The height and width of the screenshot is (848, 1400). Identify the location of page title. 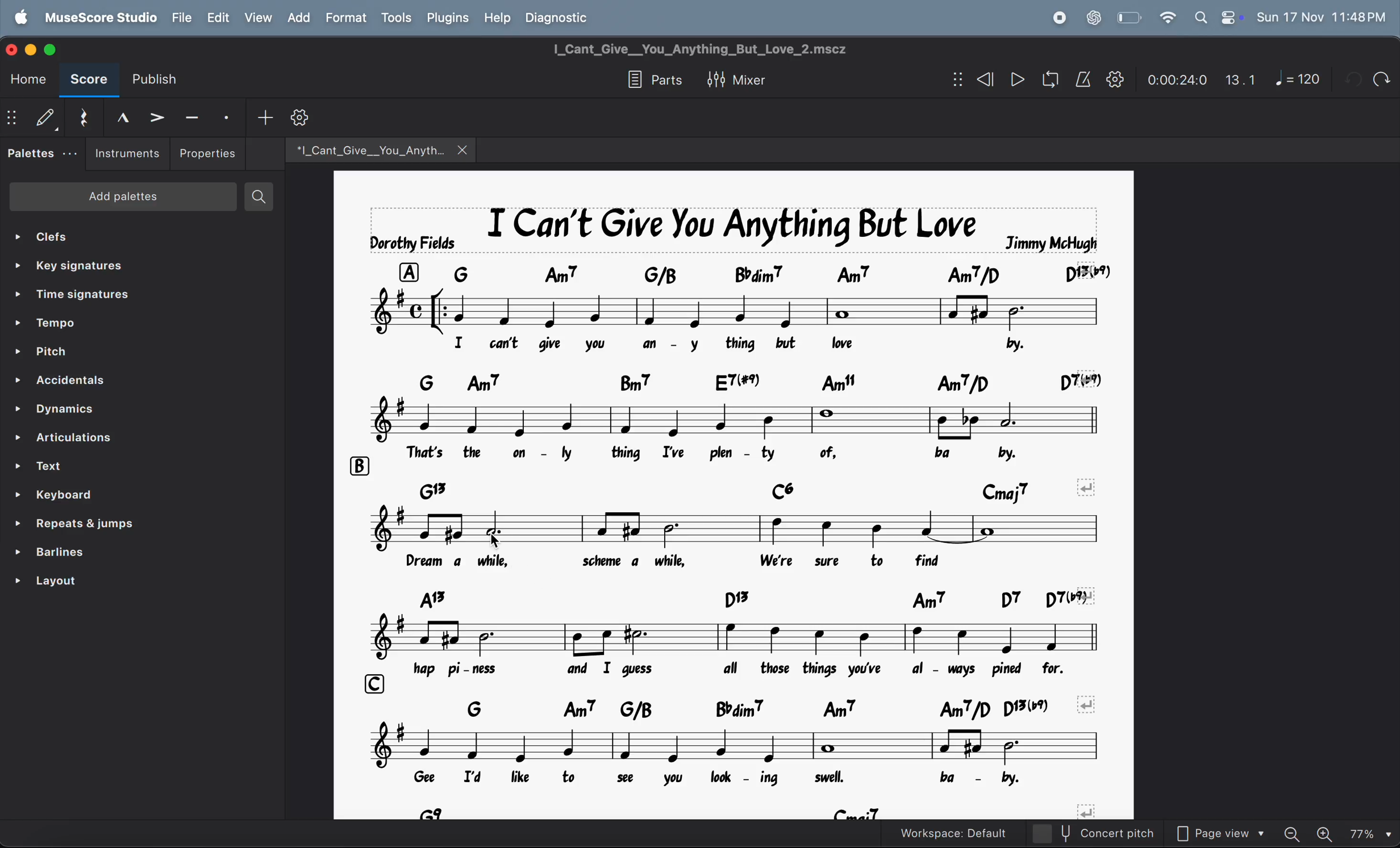
(734, 228).